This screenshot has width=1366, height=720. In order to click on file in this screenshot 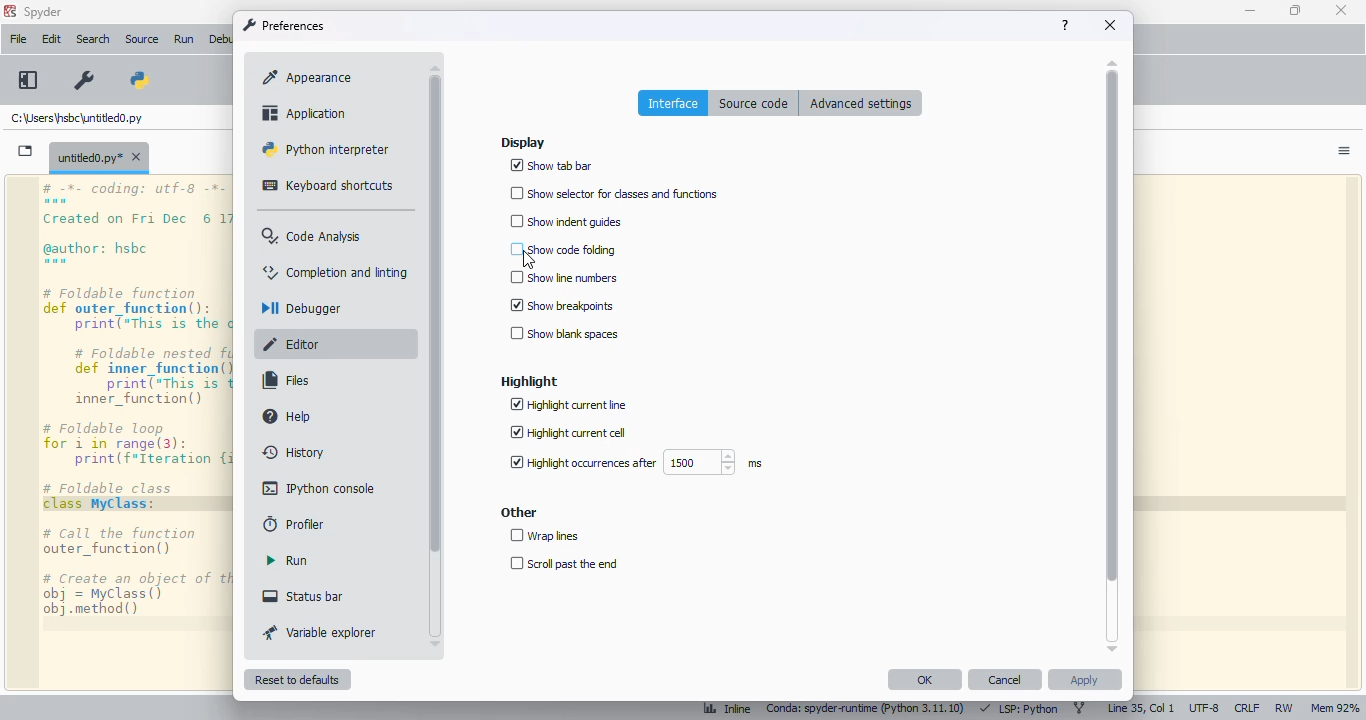, I will do `click(18, 39)`.